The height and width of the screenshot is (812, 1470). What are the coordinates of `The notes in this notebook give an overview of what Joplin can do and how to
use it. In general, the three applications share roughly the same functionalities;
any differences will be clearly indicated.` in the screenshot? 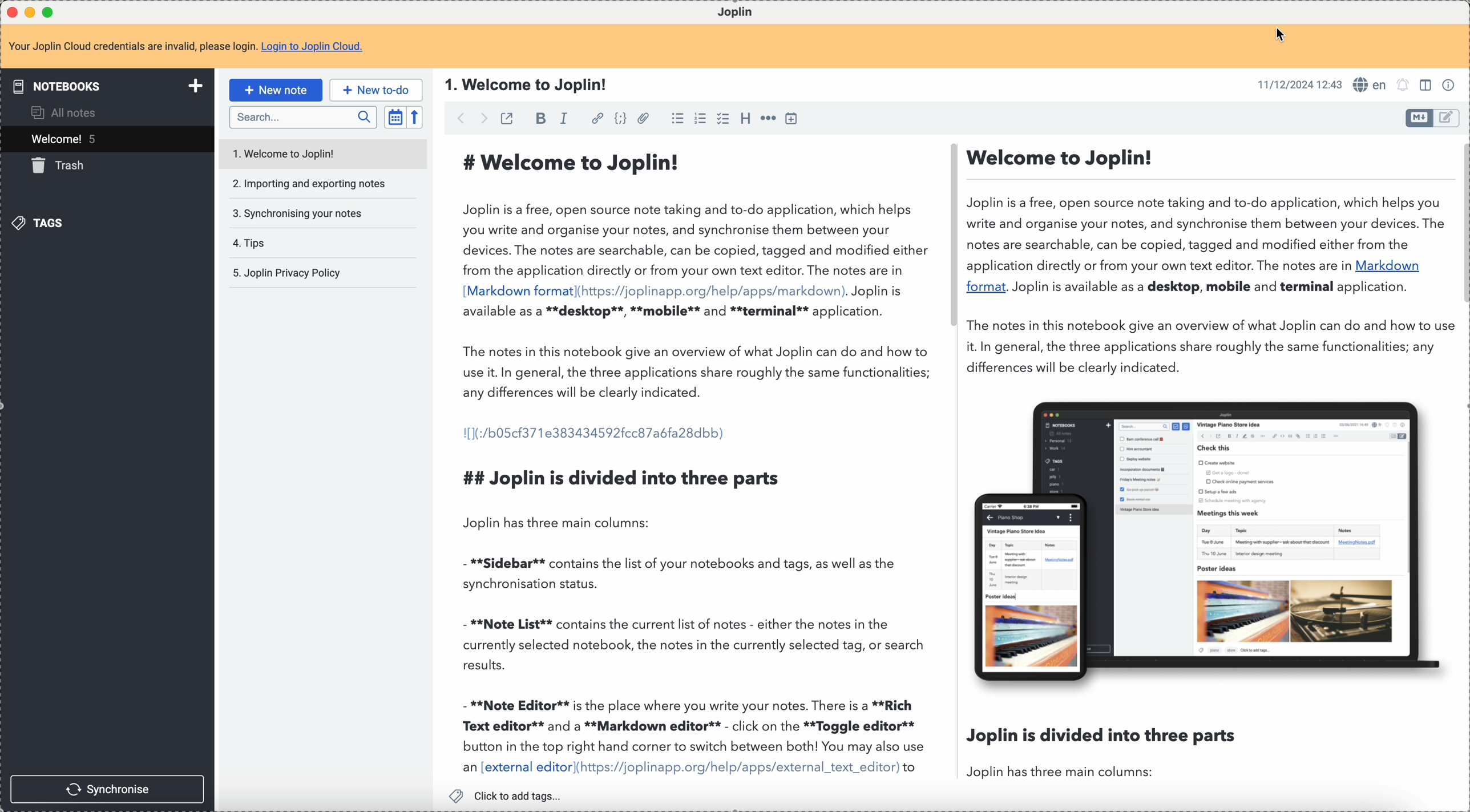 It's located at (700, 375).